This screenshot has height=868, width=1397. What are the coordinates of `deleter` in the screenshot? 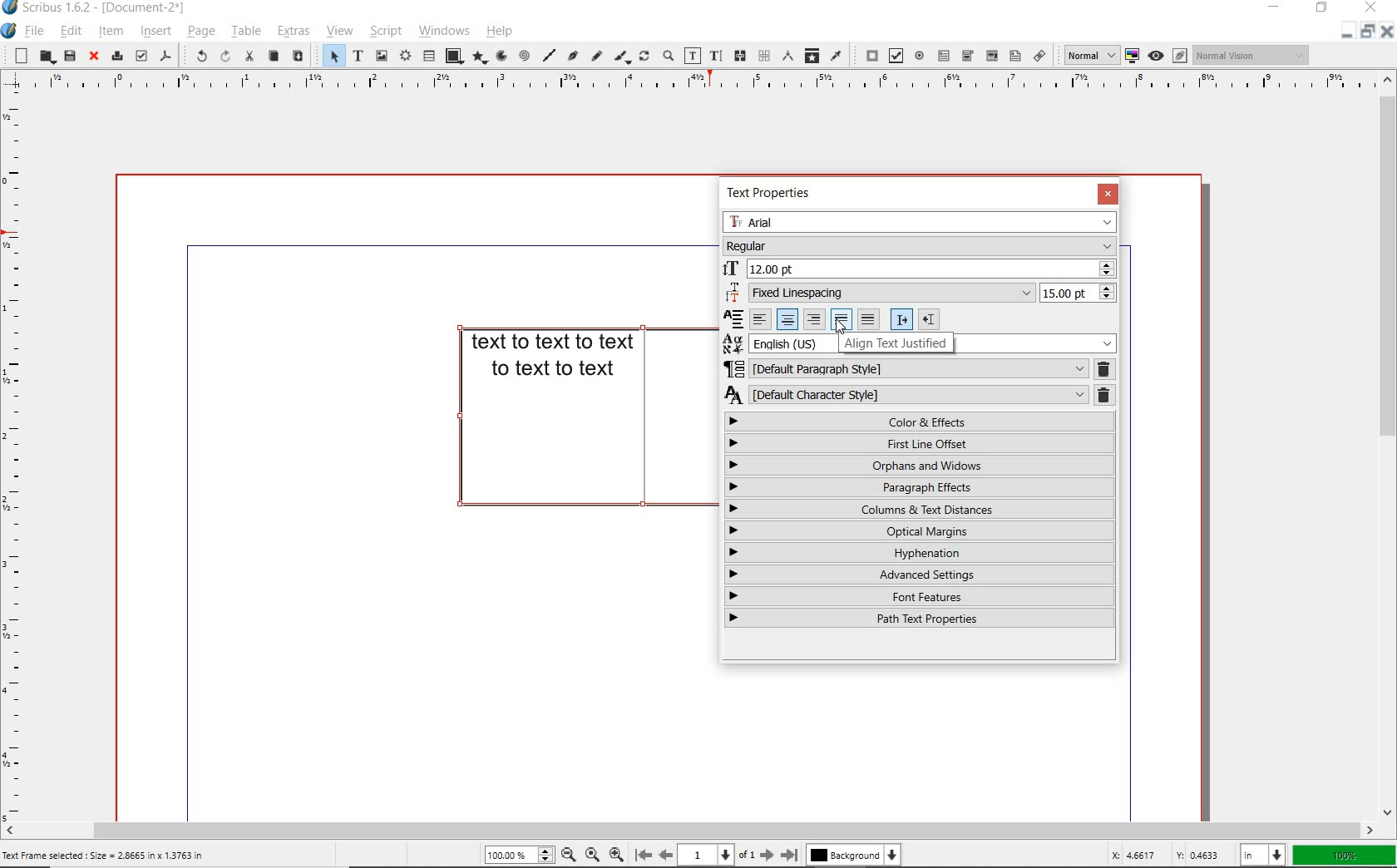 It's located at (1104, 397).